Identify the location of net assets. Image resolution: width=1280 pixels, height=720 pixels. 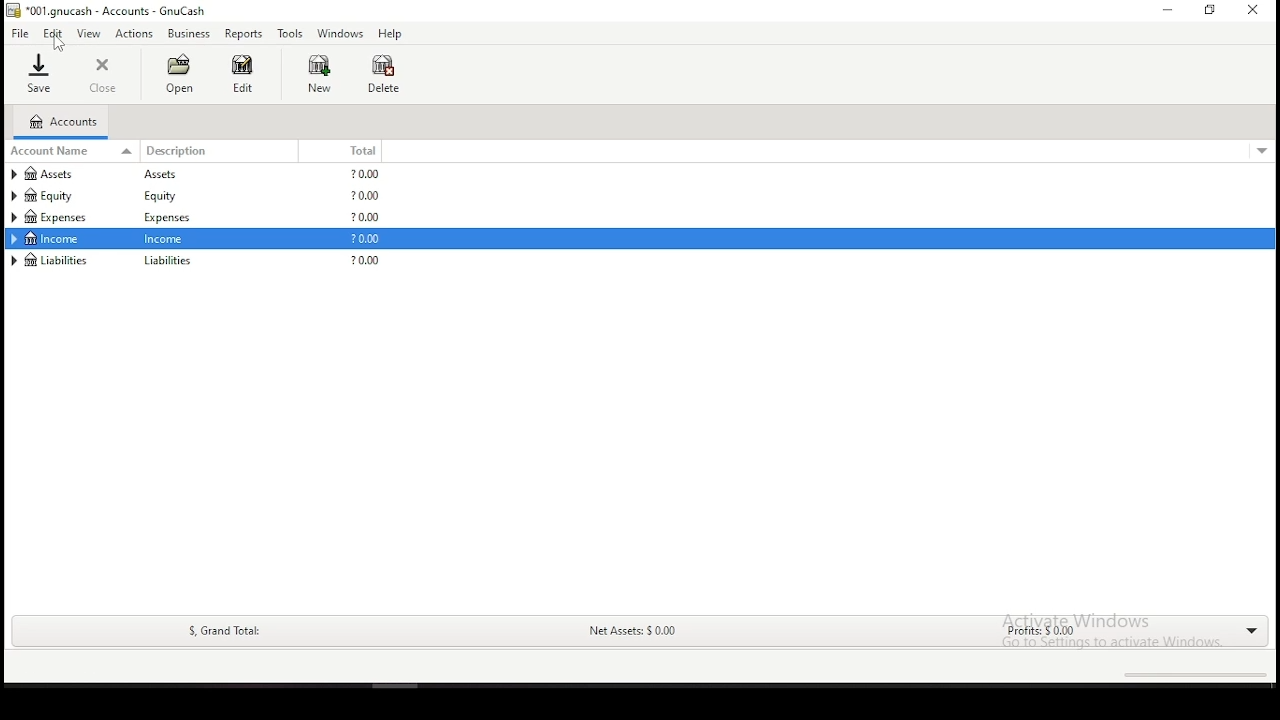
(631, 633).